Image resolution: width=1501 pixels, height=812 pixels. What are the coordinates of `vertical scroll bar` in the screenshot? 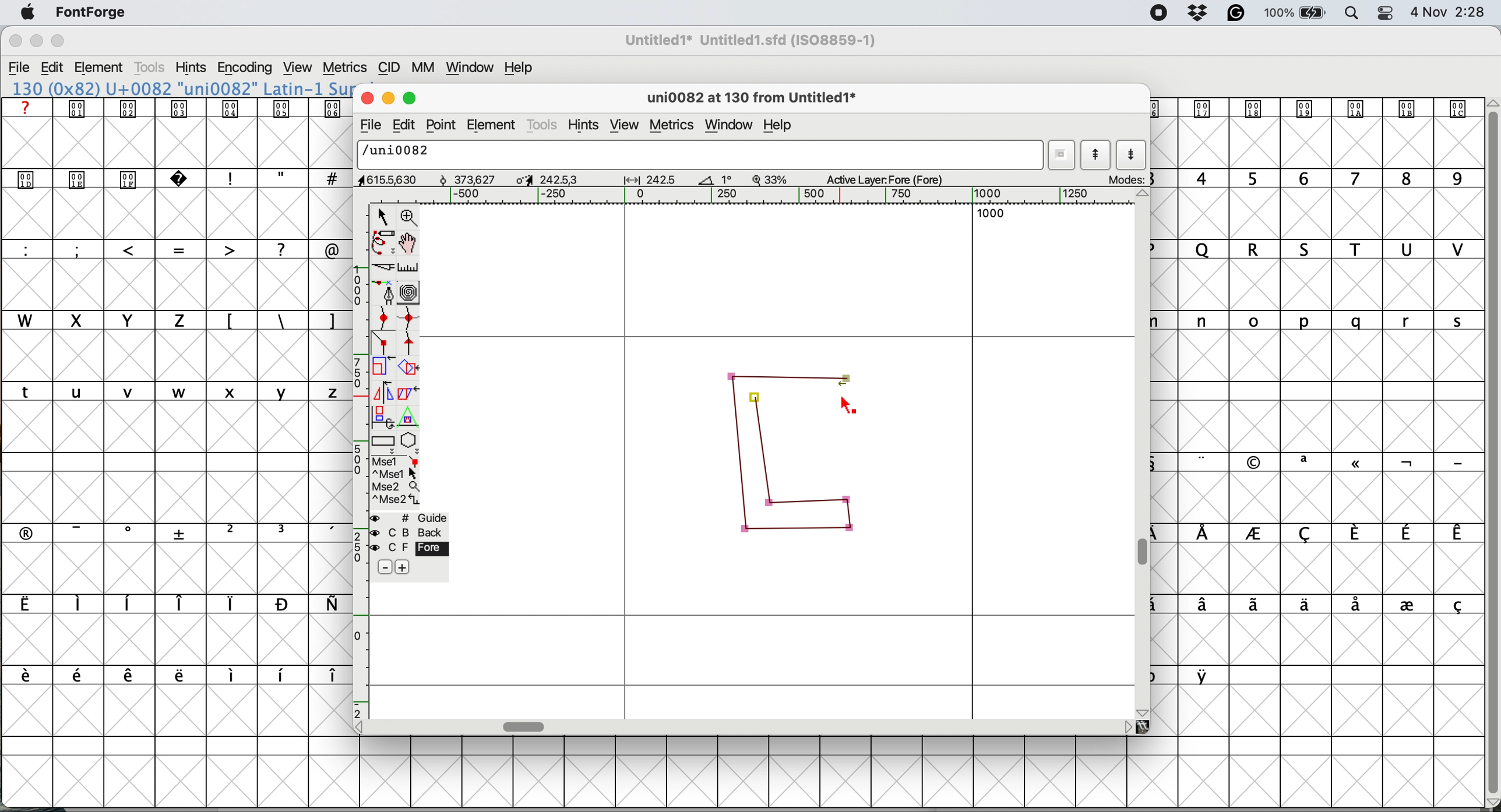 It's located at (1146, 553).